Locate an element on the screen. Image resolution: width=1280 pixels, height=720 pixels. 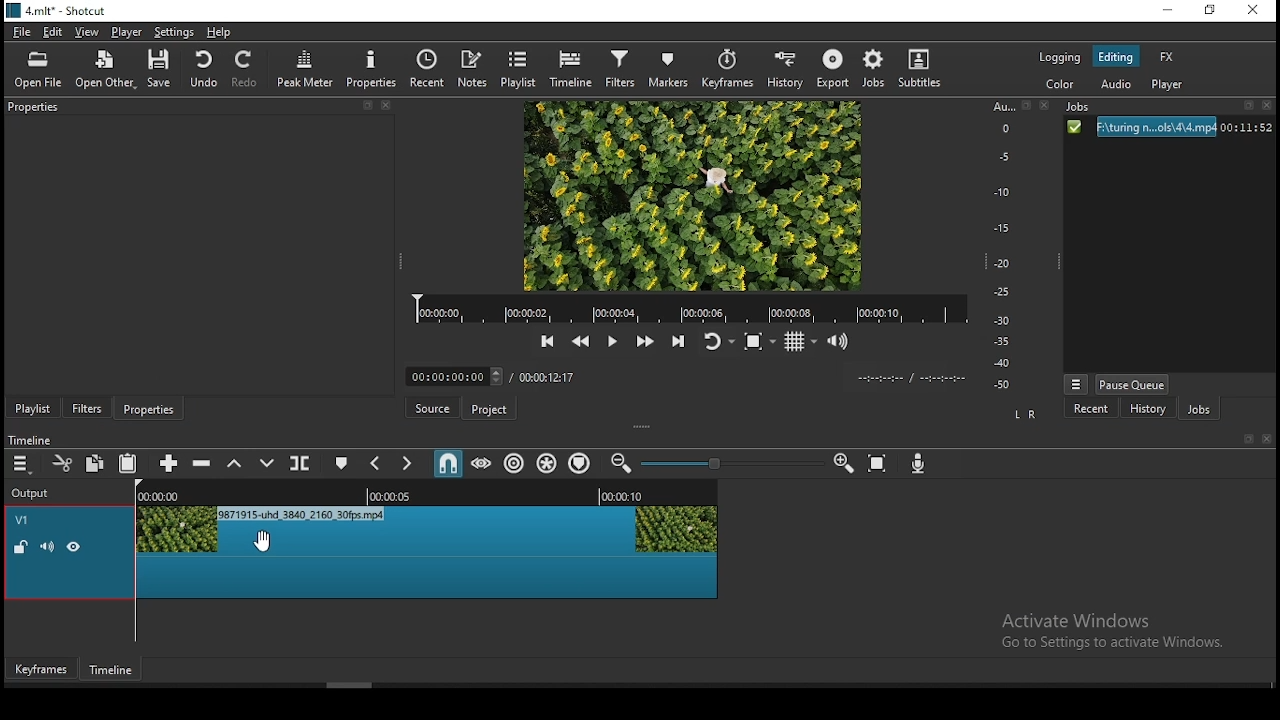
paste is located at coordinates (128, 465).